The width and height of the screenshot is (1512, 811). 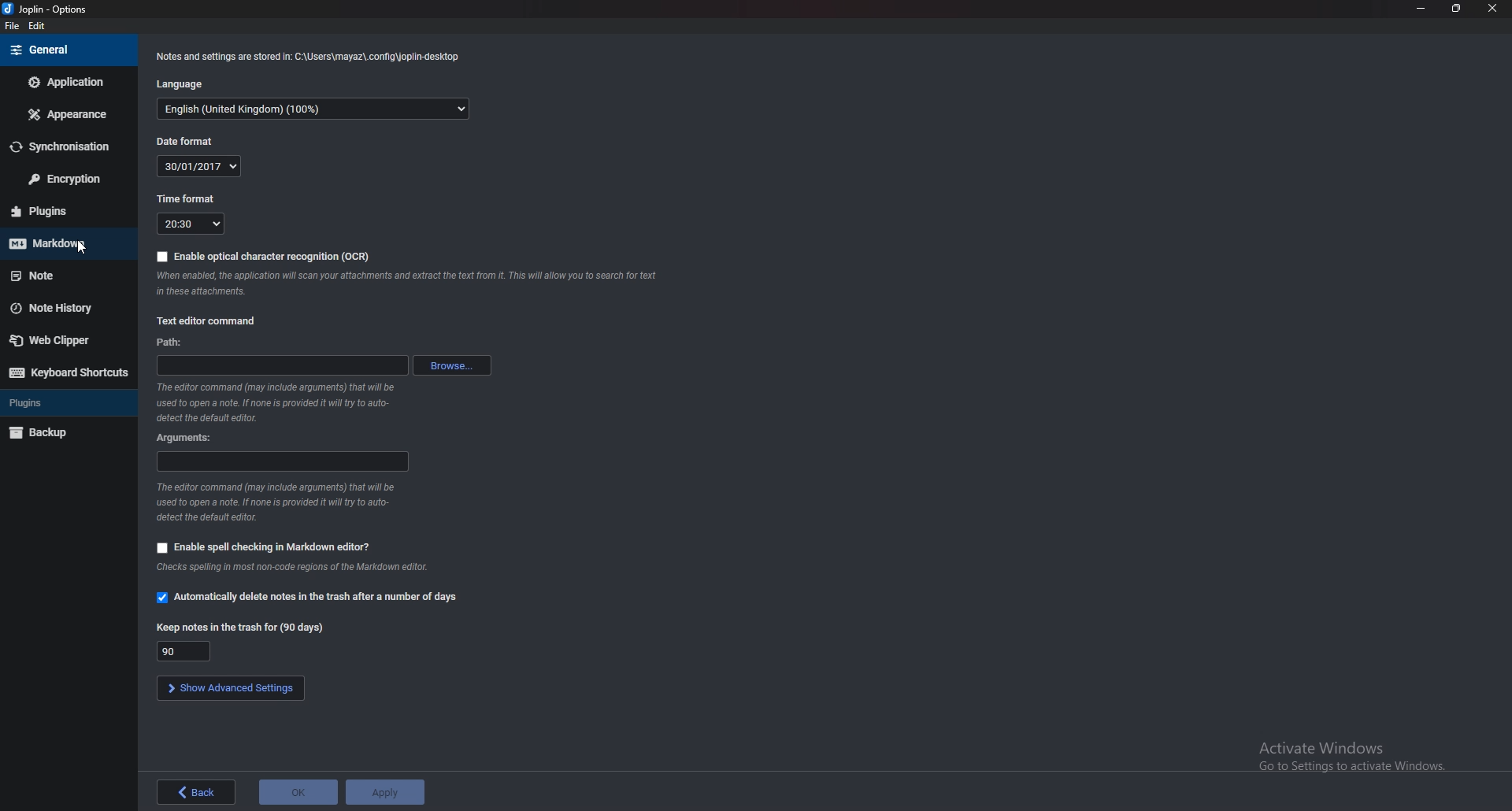 What do you see at coordinates (183, 84) in the screenshot?
I see `Language` at bounding box center [183, 84].